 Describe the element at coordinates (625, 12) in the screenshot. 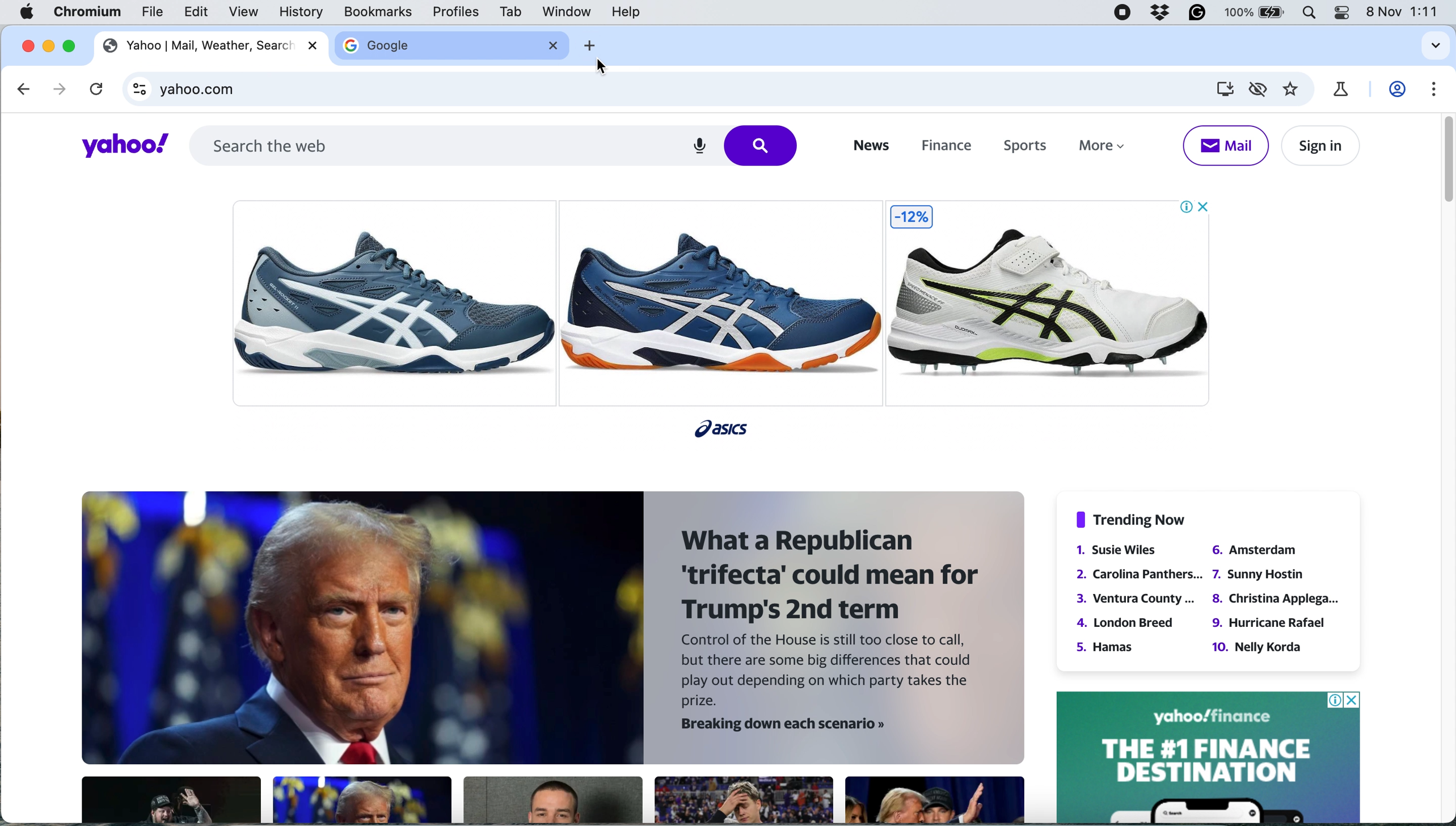

I see `help` at that location.